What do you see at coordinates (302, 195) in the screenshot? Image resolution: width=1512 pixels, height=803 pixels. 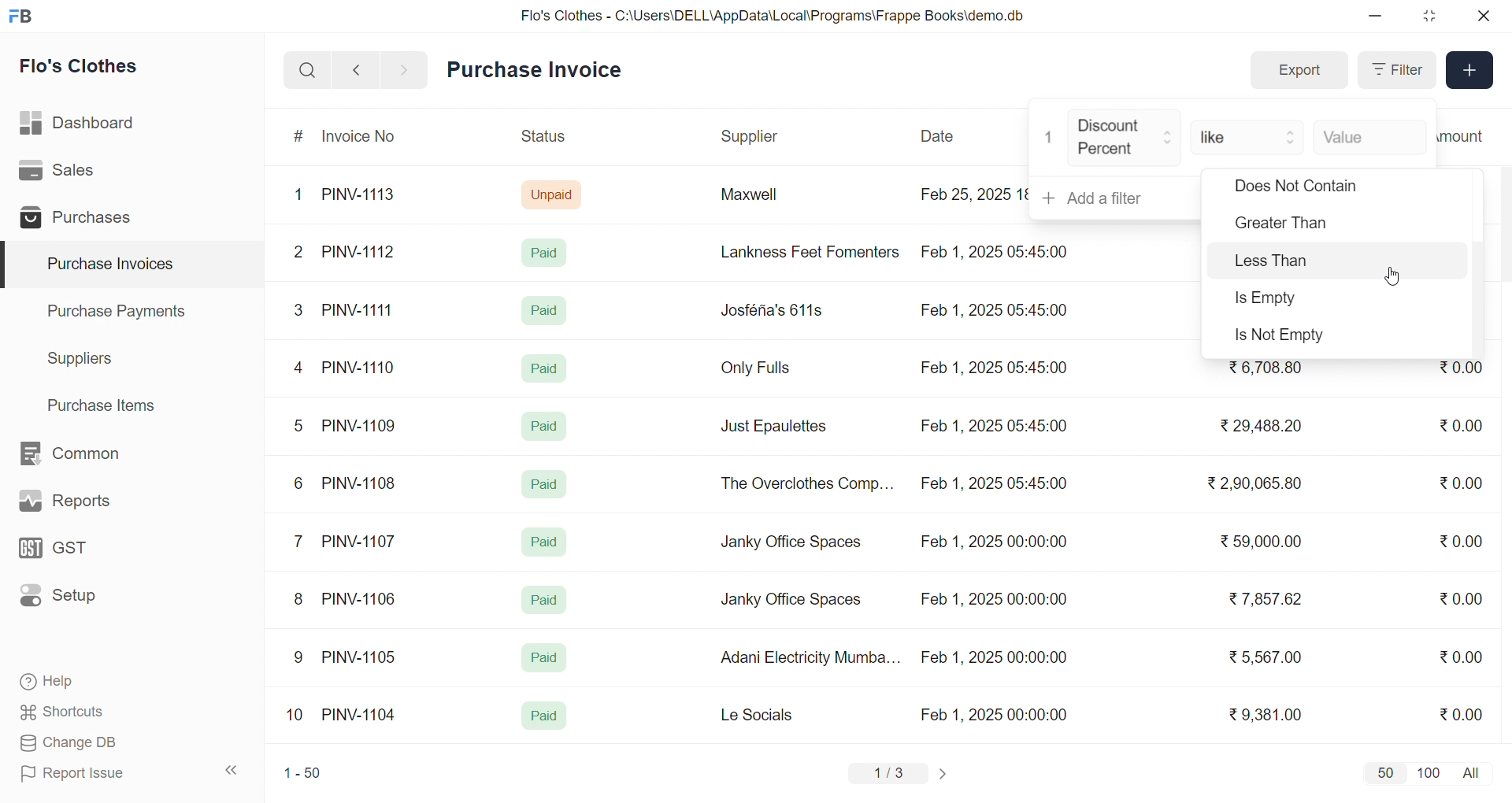 I see `1` at bounding box center [302, 195].